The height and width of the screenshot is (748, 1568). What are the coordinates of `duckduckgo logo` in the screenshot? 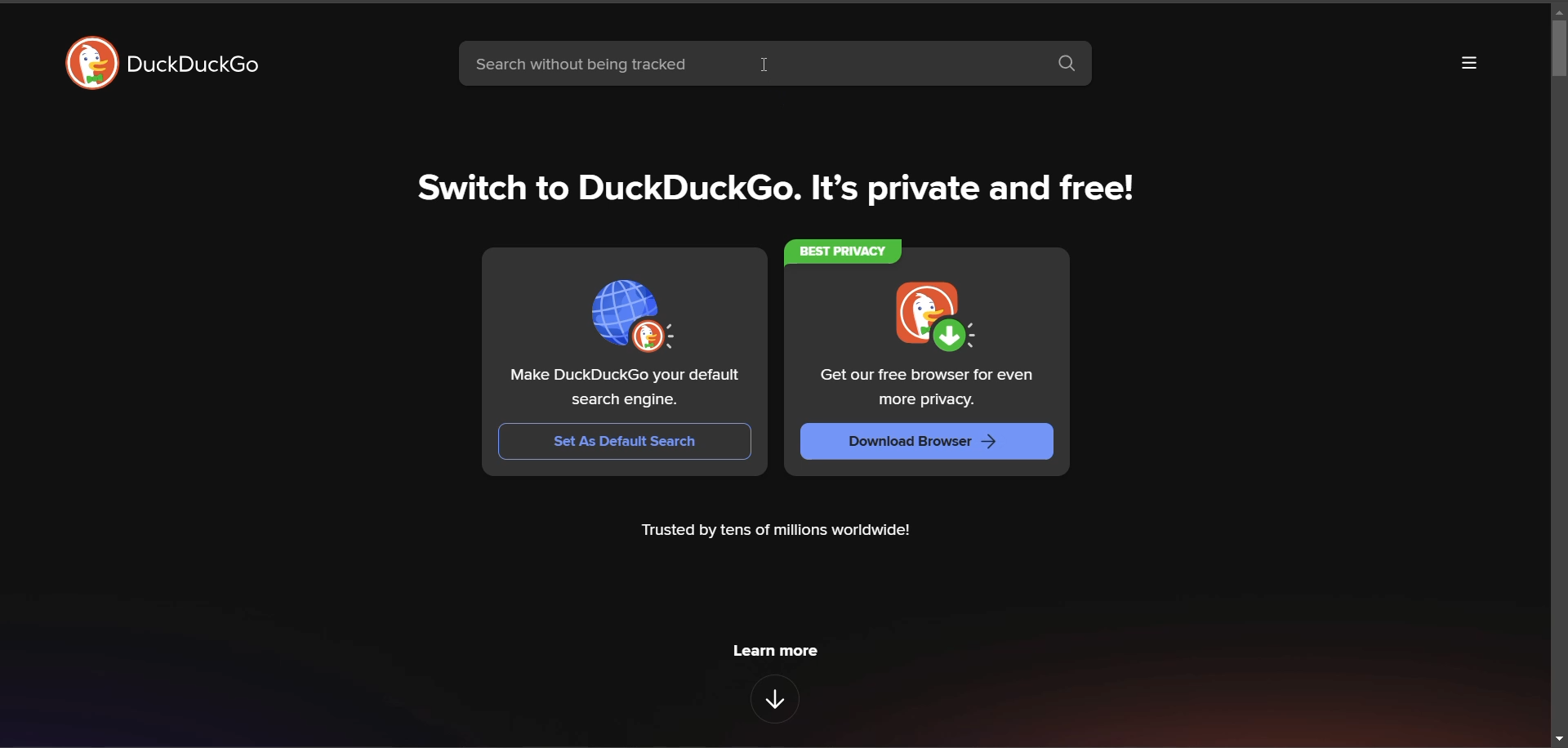 It's located at (80, 63).